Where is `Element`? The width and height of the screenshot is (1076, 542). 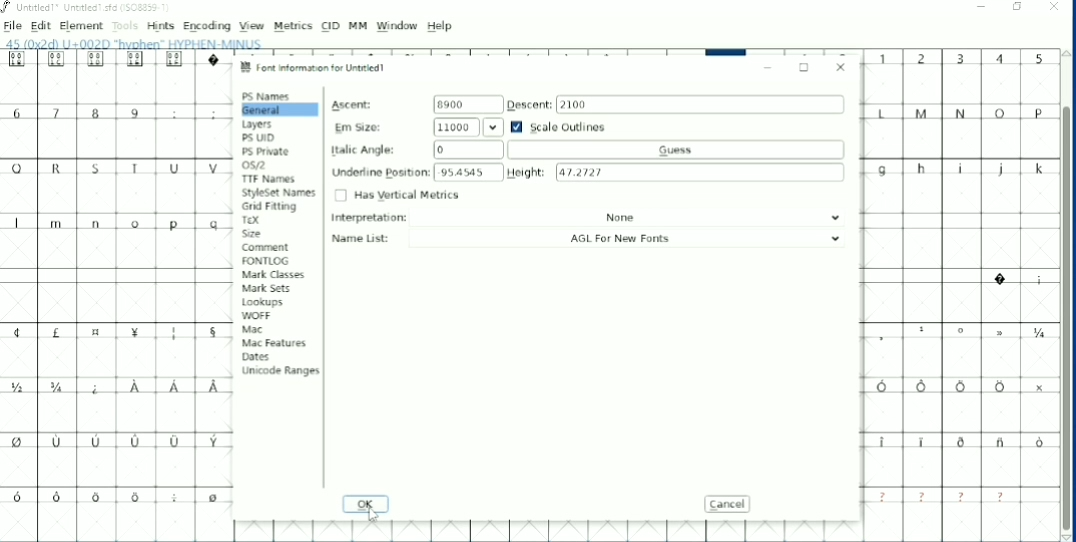 Element is located at coordinates (81, 26).